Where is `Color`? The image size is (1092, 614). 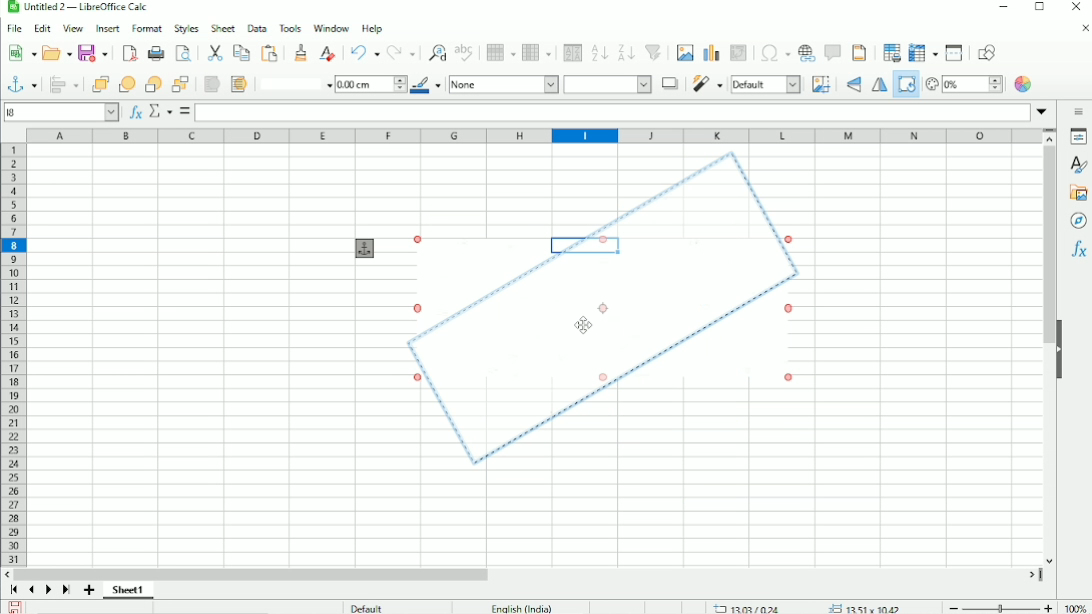
Color is located at coordinates (1024, 84).